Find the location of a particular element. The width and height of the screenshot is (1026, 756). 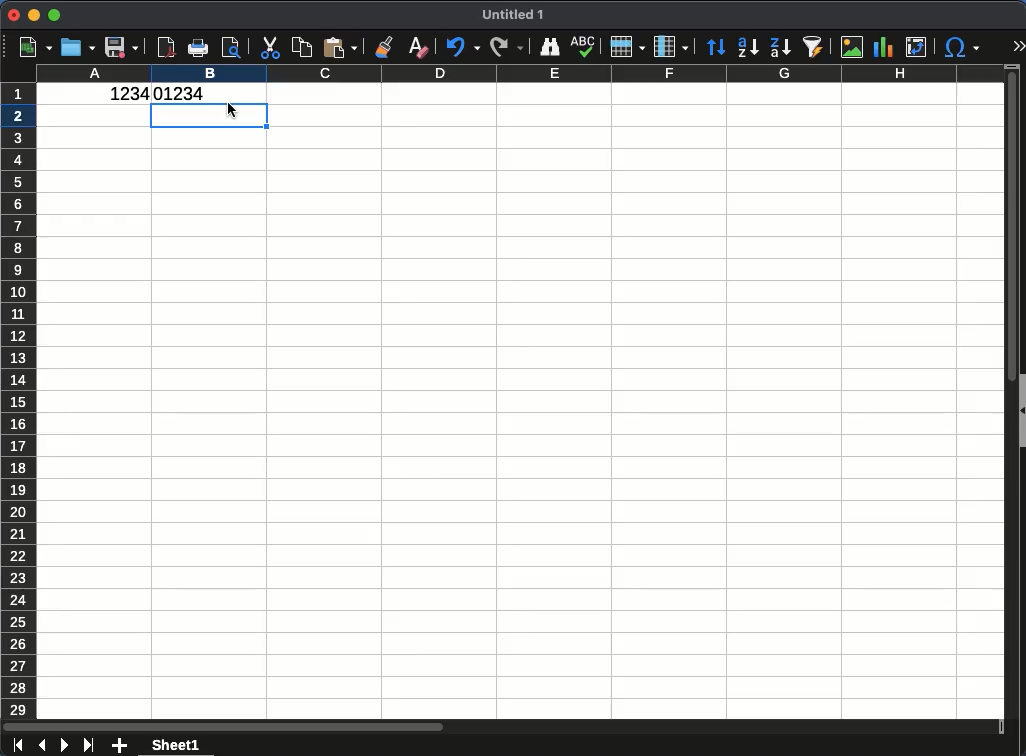

ascending is located at coordinates (747, 47).